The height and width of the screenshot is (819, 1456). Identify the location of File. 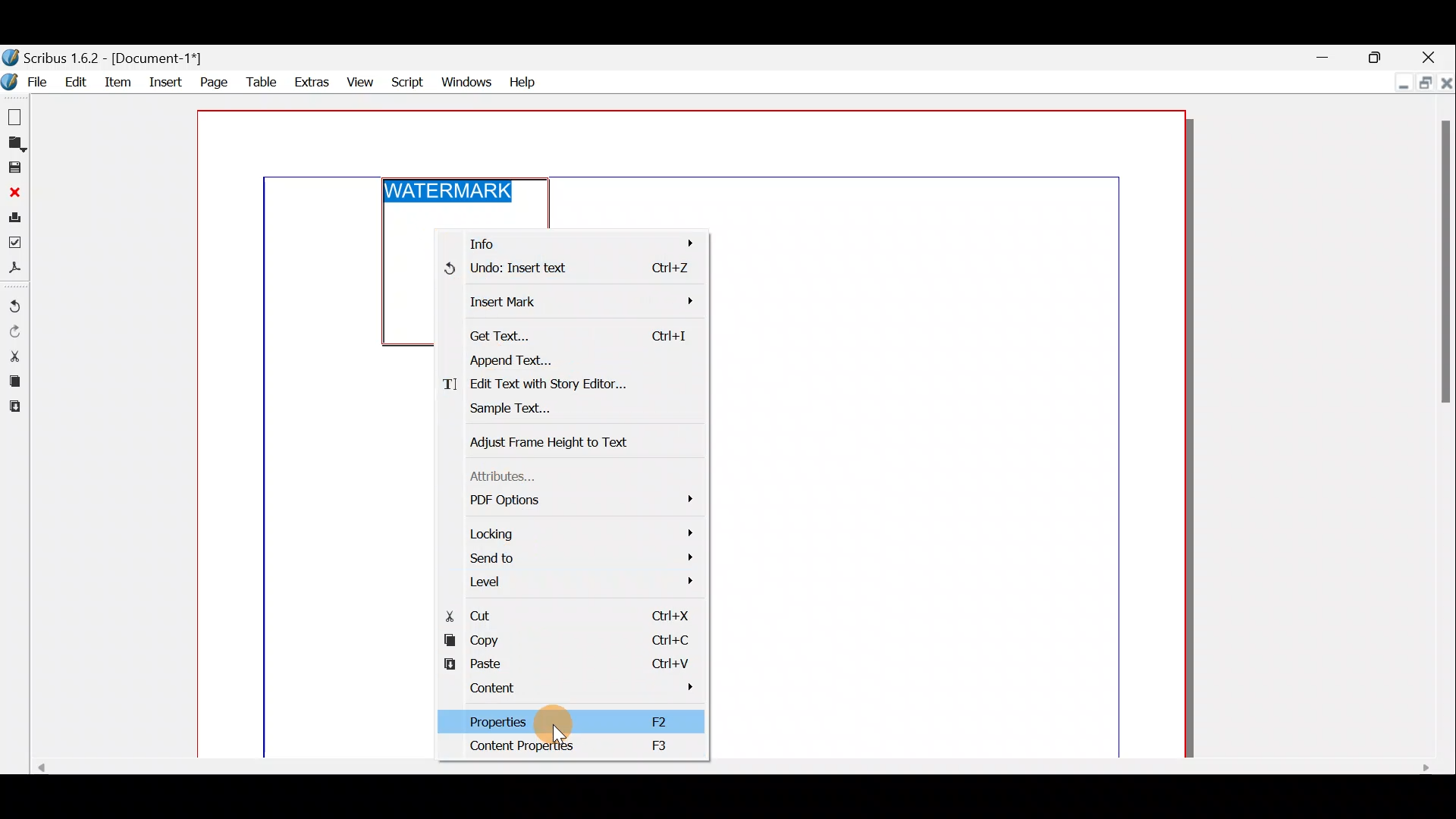
(28, 81).